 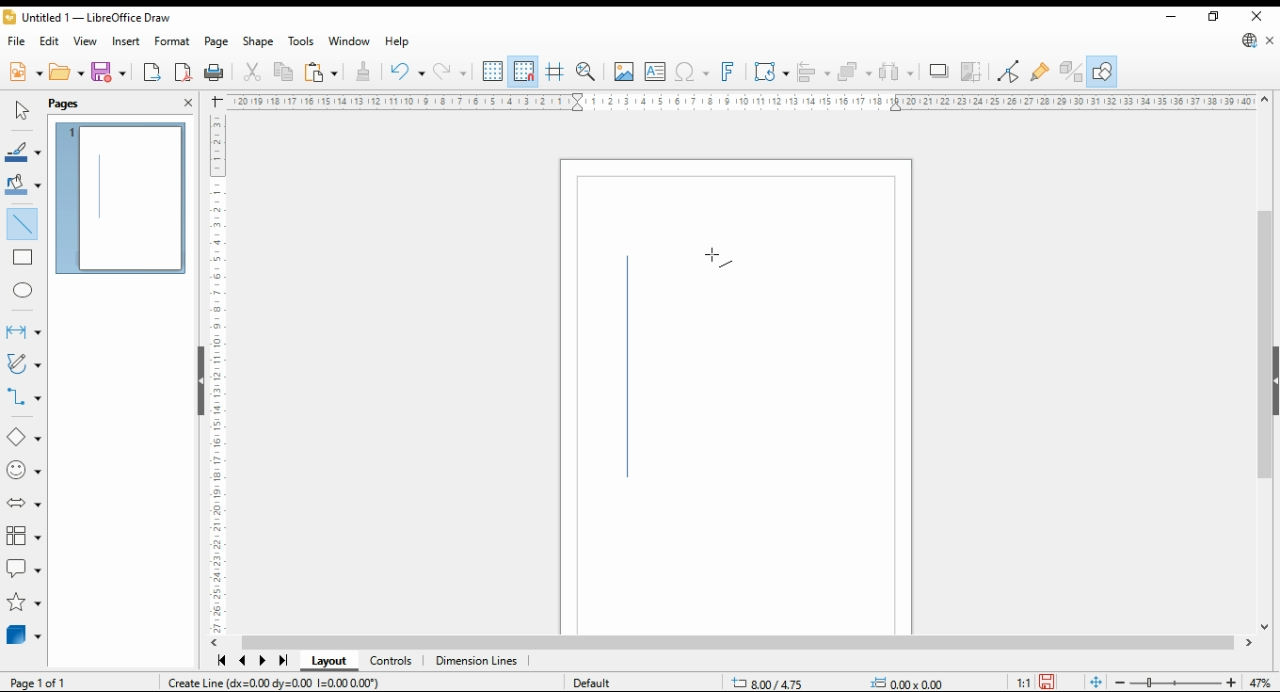 What do you see at coordinates (1040, 70) in the screenshot?
I see `show gluepoint functions` at bounding box center [1040, 70].